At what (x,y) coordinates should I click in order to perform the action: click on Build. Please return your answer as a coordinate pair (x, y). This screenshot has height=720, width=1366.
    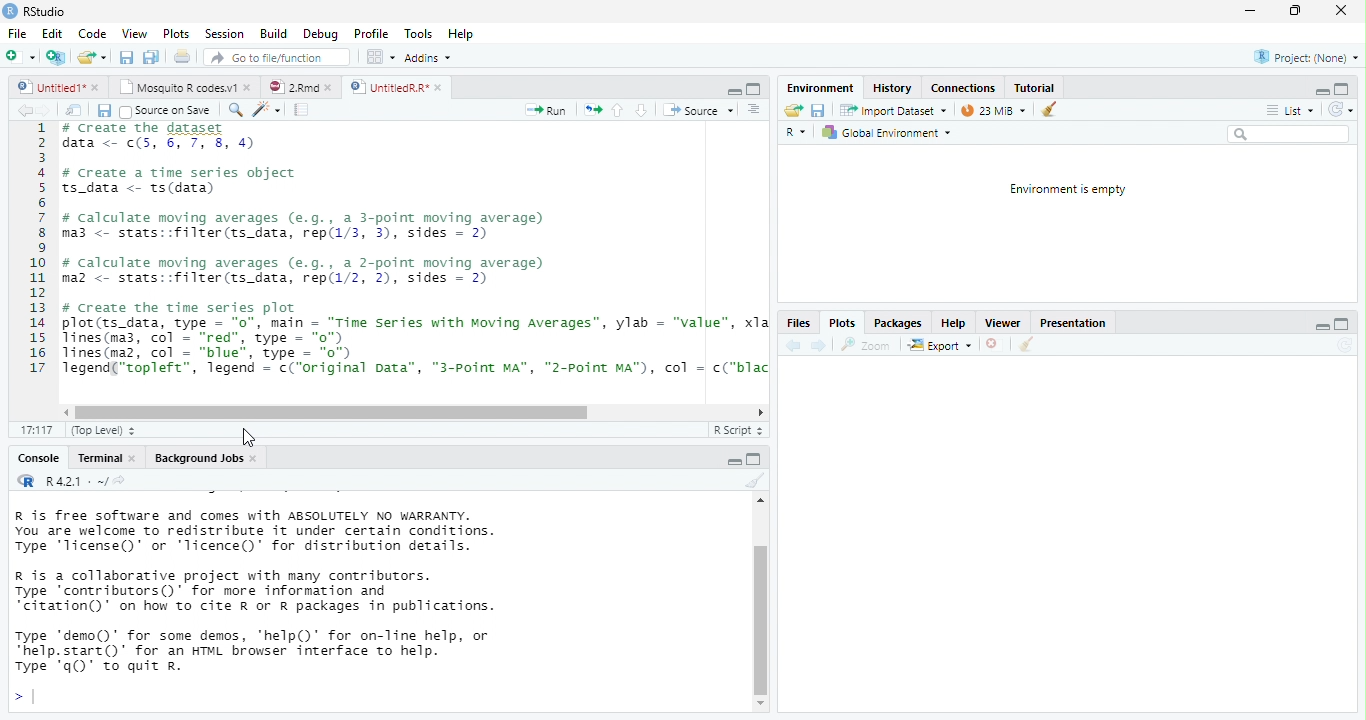
    Looking at the image, I should click on (273, 34).